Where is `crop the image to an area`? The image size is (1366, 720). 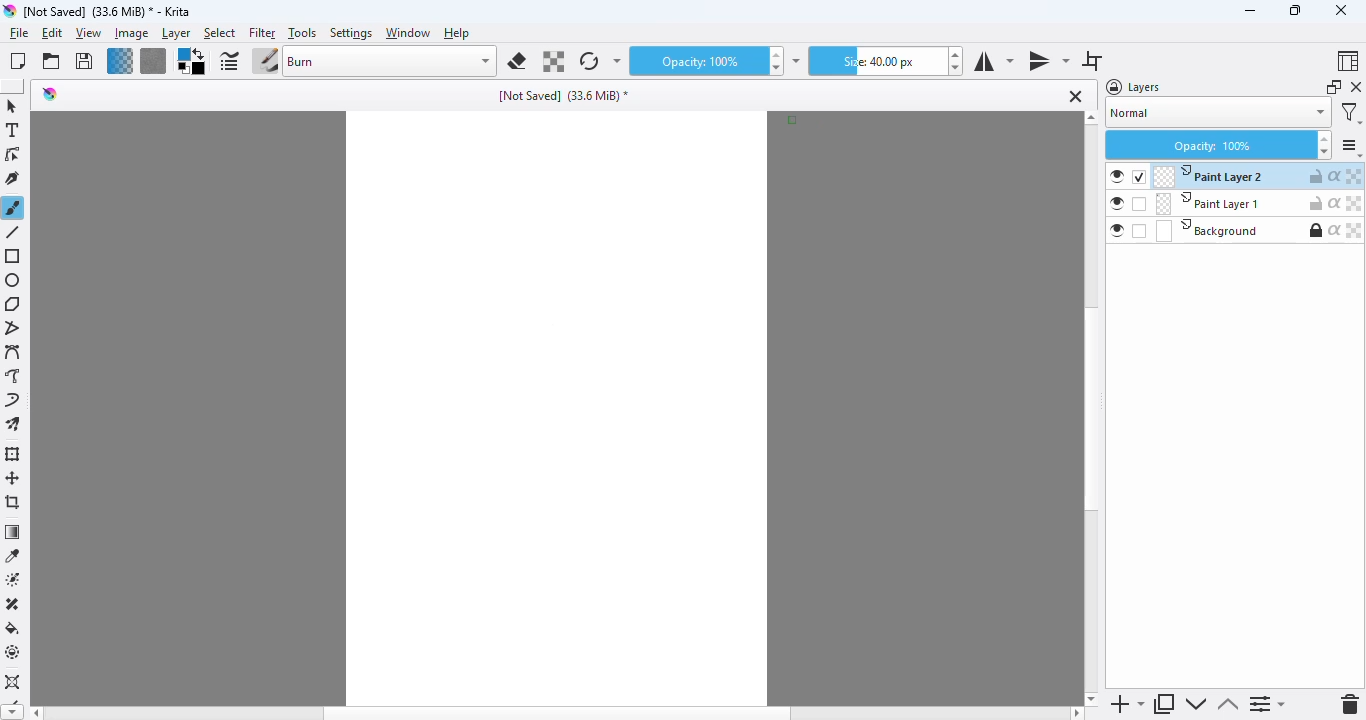 crop the image to an area is located at coordinates (14, 502).